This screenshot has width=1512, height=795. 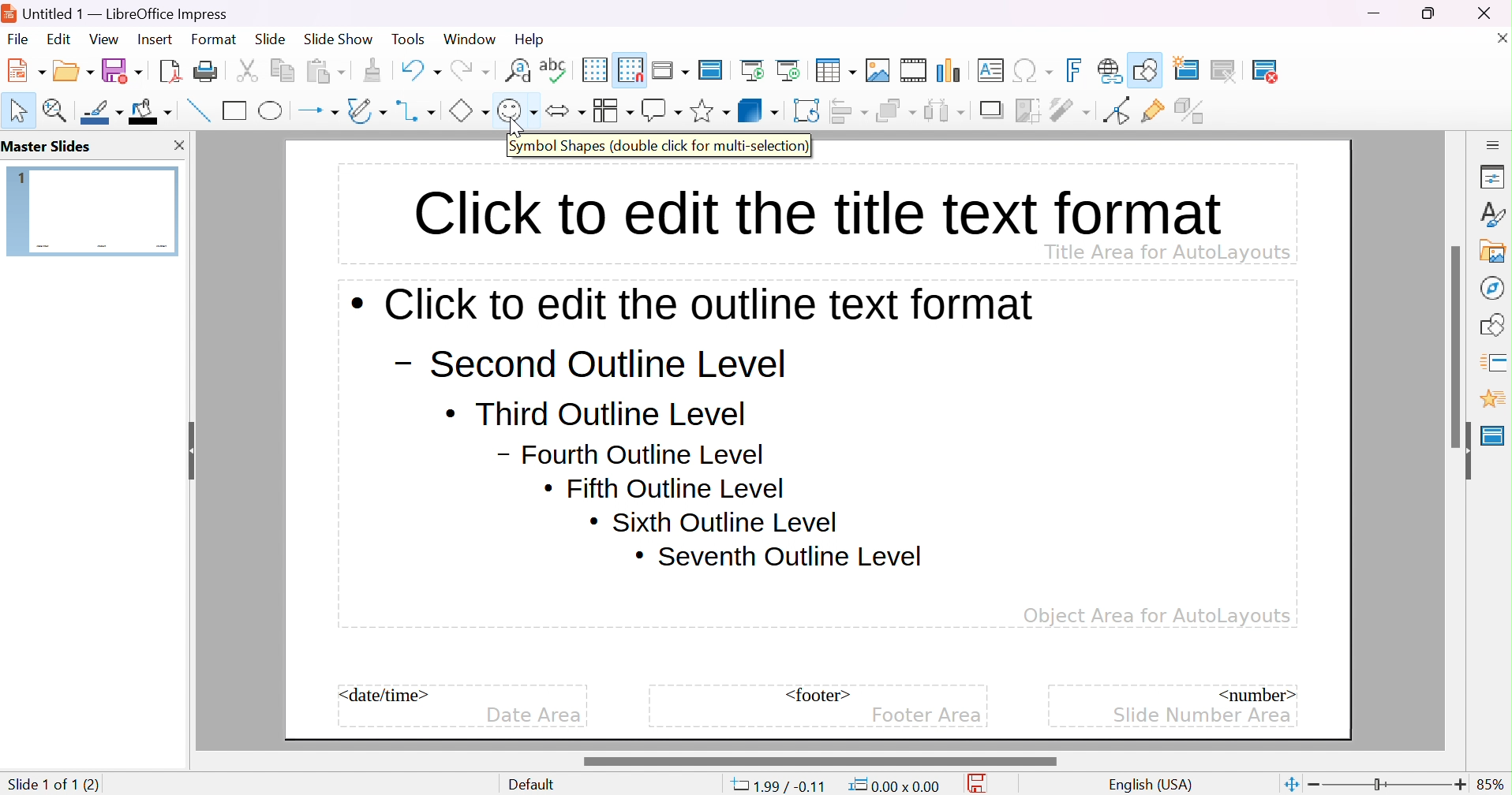 I want to click on shapes, so click(x=1495, y=323).